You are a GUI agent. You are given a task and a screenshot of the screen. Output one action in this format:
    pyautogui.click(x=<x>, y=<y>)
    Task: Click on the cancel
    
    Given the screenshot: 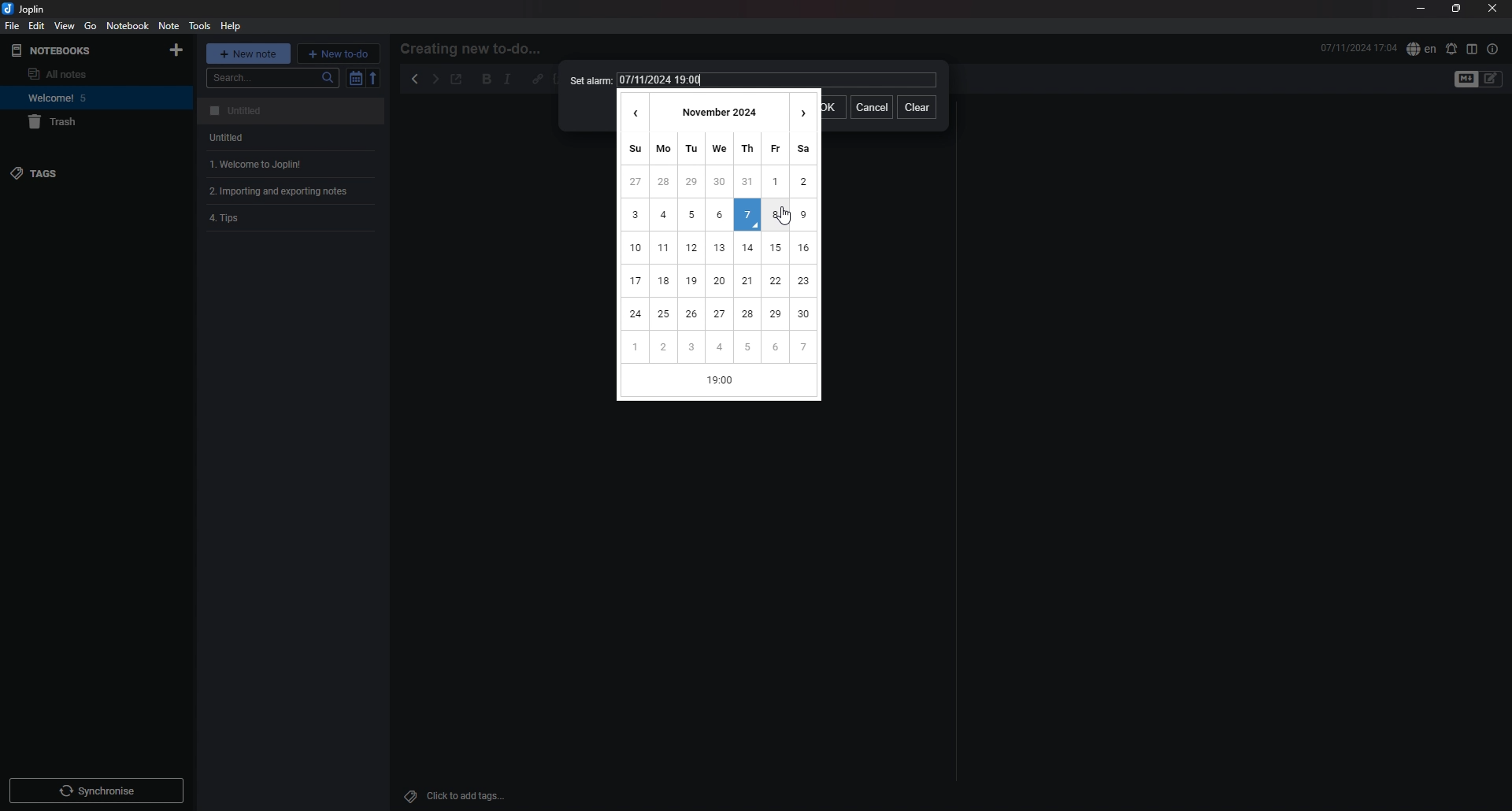 What is the action you would take?
    pyautogui.click(x=870, y=109)
    